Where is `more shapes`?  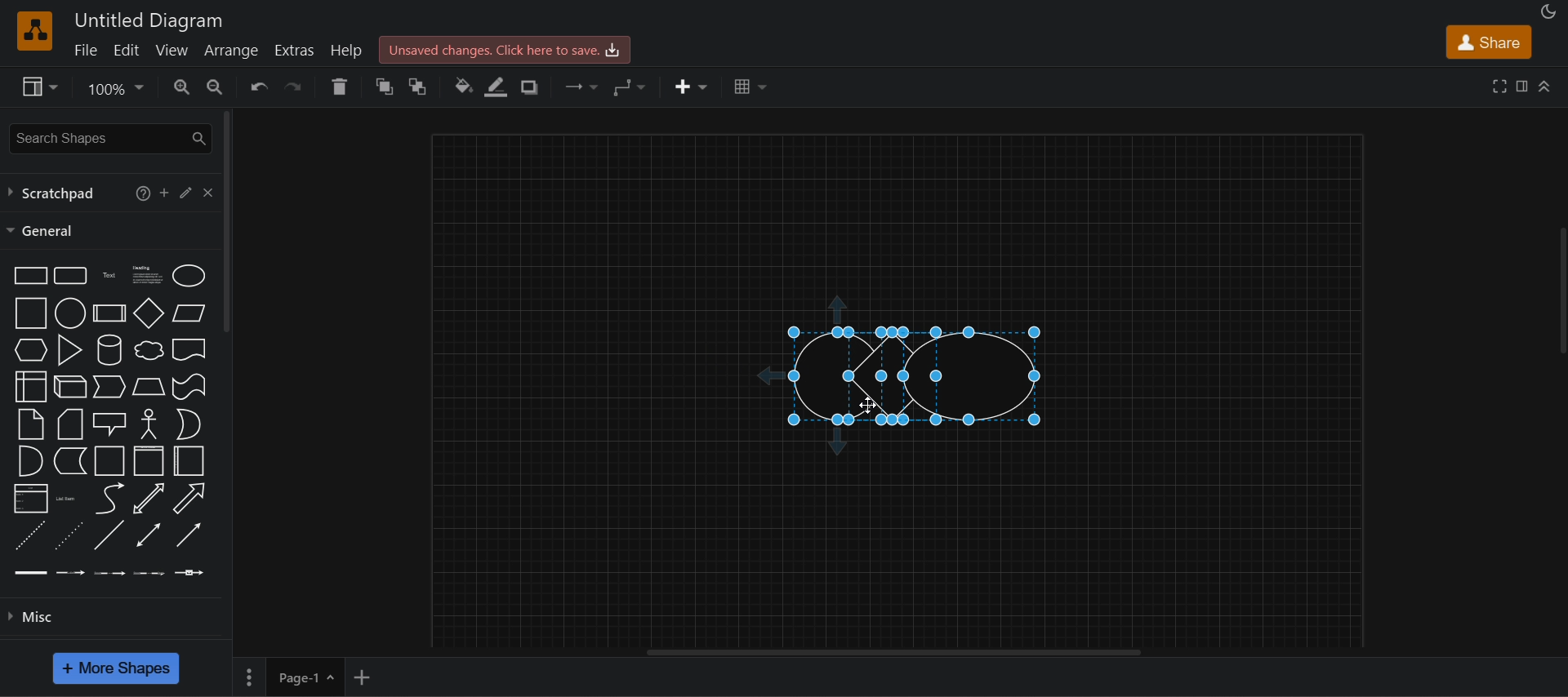 more shapes is located at coordinates (114, 668).